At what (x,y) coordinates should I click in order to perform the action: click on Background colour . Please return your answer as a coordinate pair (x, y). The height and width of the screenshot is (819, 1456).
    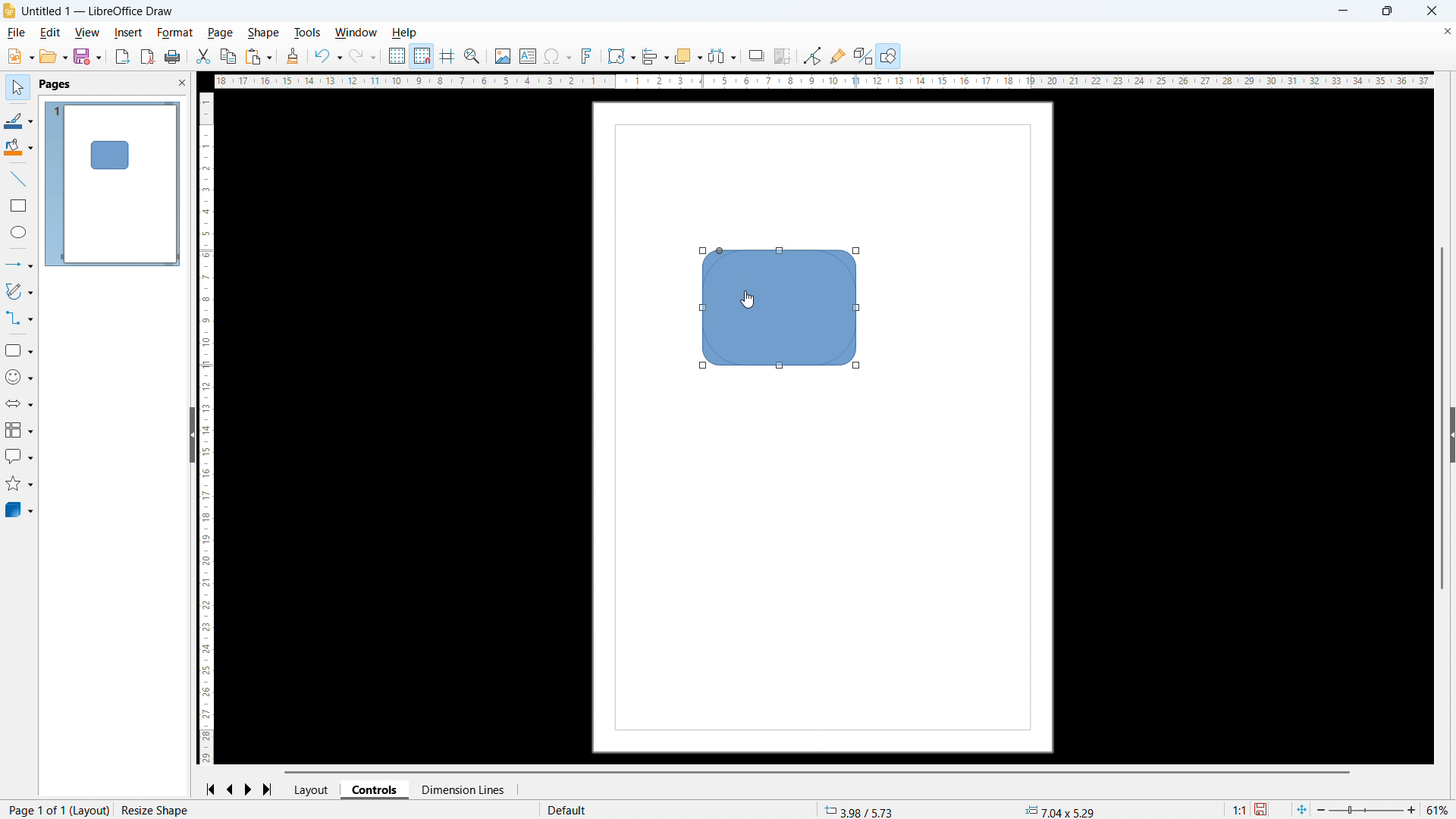
    Looking at the image, I should click on (19, 149).